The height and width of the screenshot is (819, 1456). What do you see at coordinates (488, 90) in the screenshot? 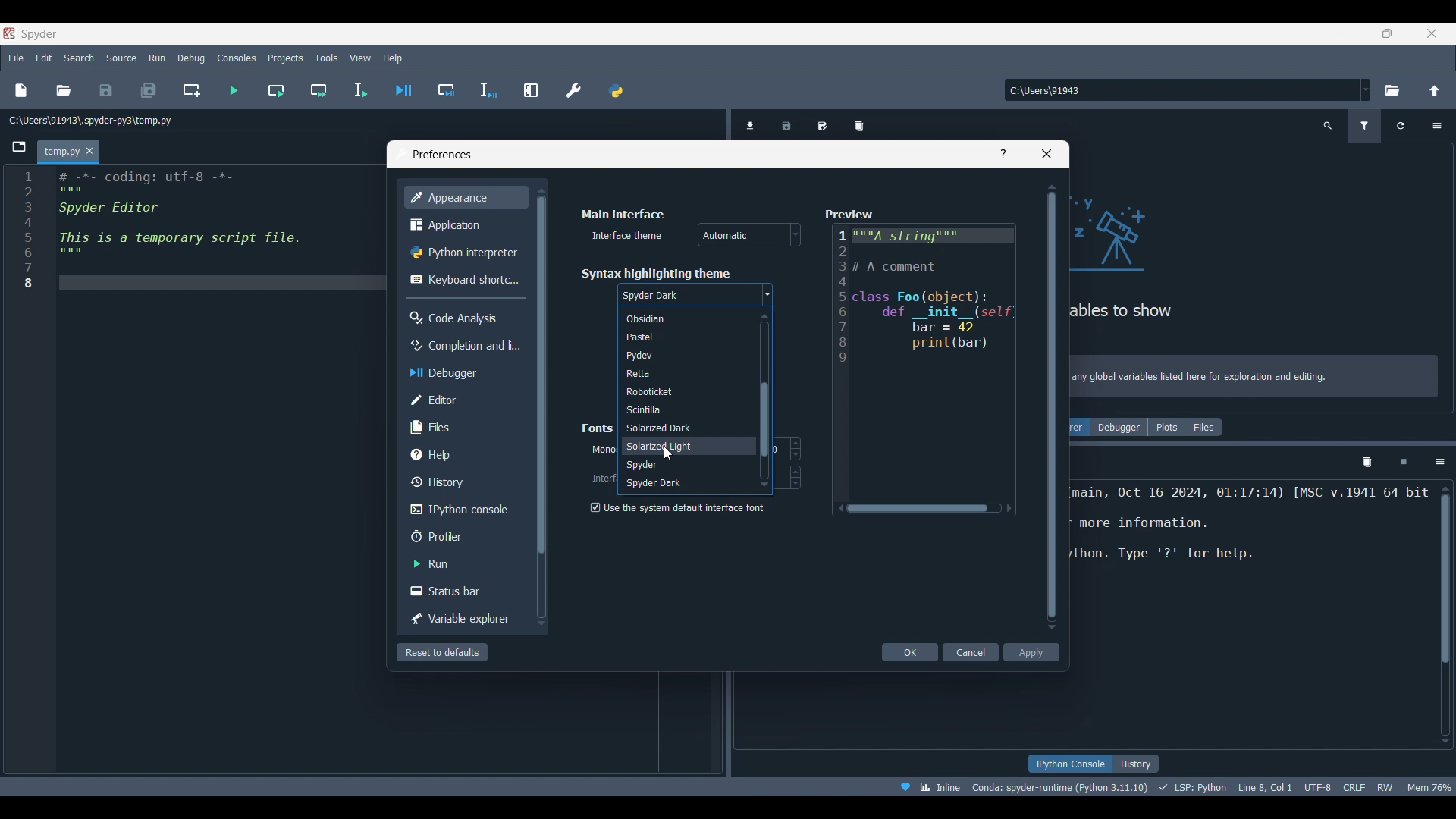
I see `Debug selection/current time` at bounding box center [488, 90].